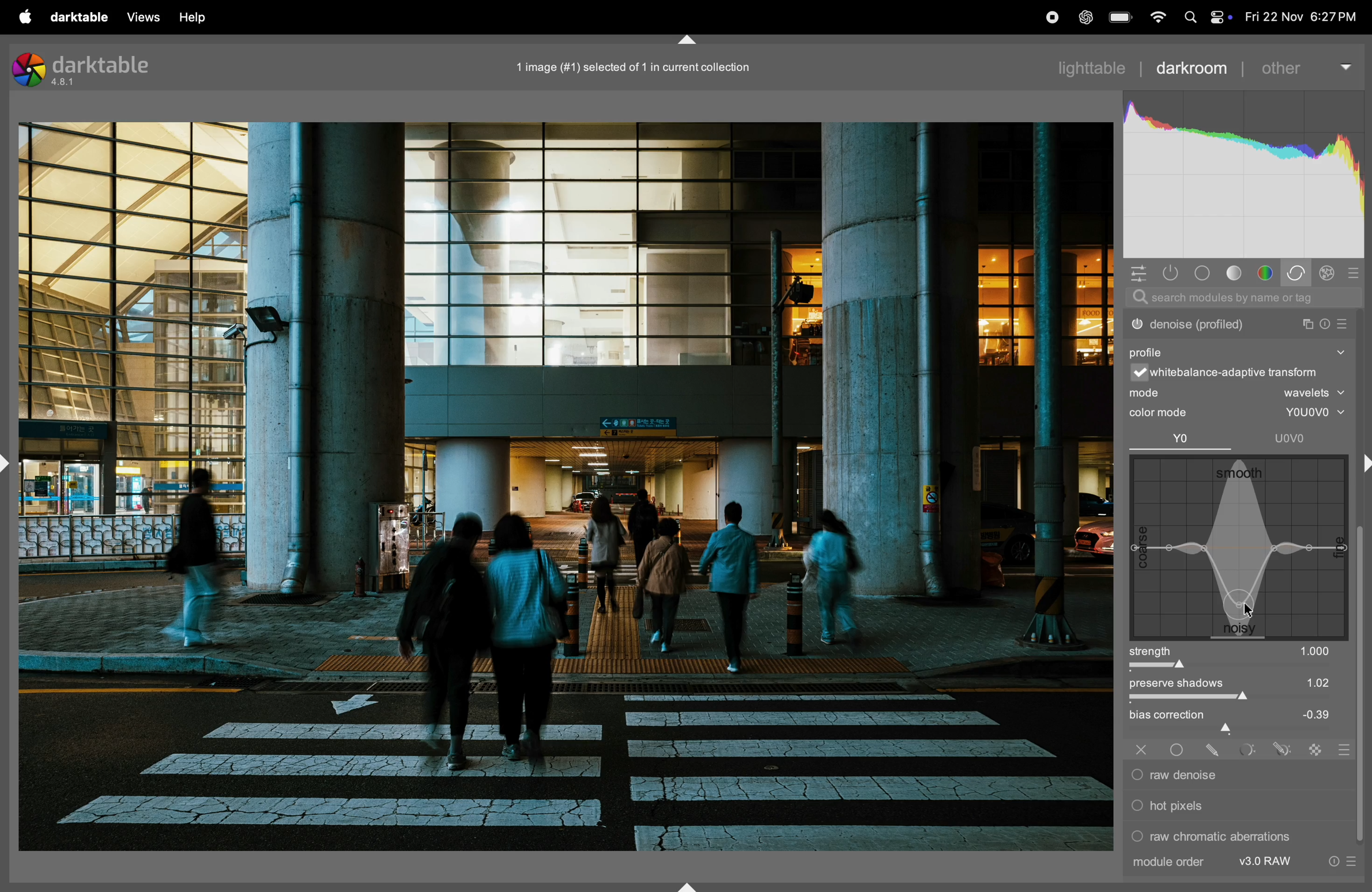 This screenshot has height=892, width=1372. I want to click on wifi, so click(1157, 18).